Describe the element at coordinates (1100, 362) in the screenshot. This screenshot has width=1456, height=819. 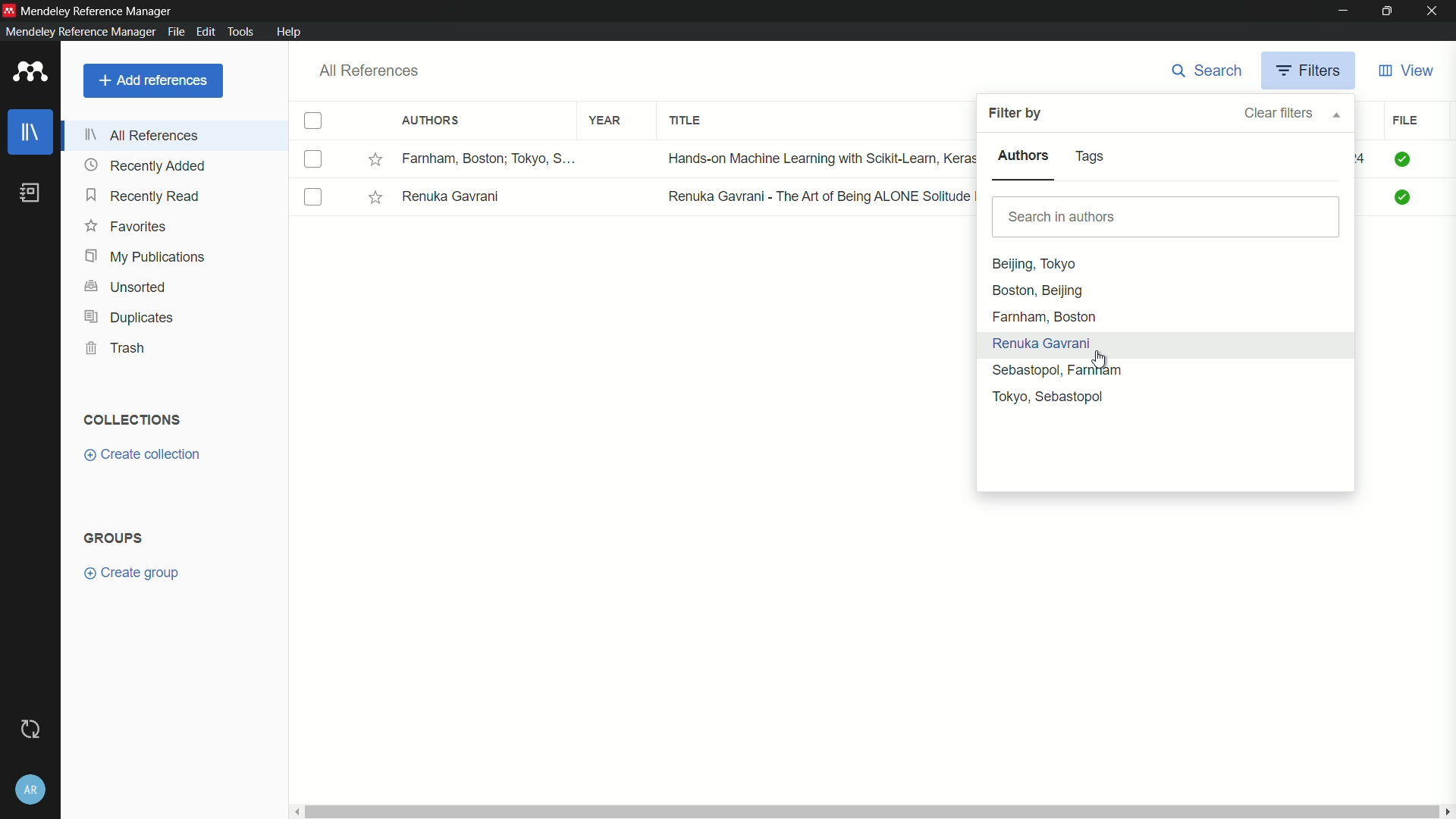
I see `cursor` at that location.